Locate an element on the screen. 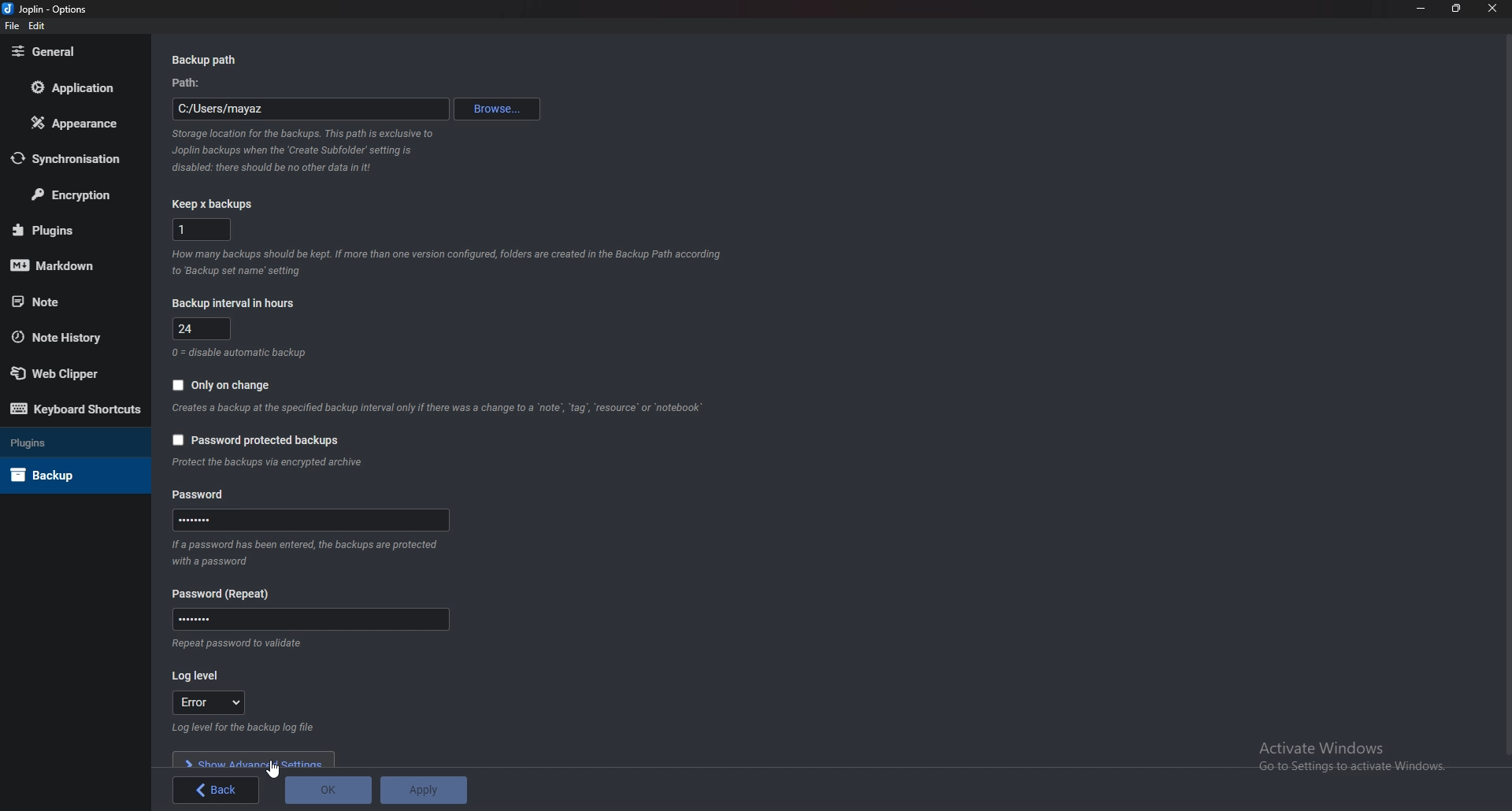  Info is located at coordinates (242, 729).